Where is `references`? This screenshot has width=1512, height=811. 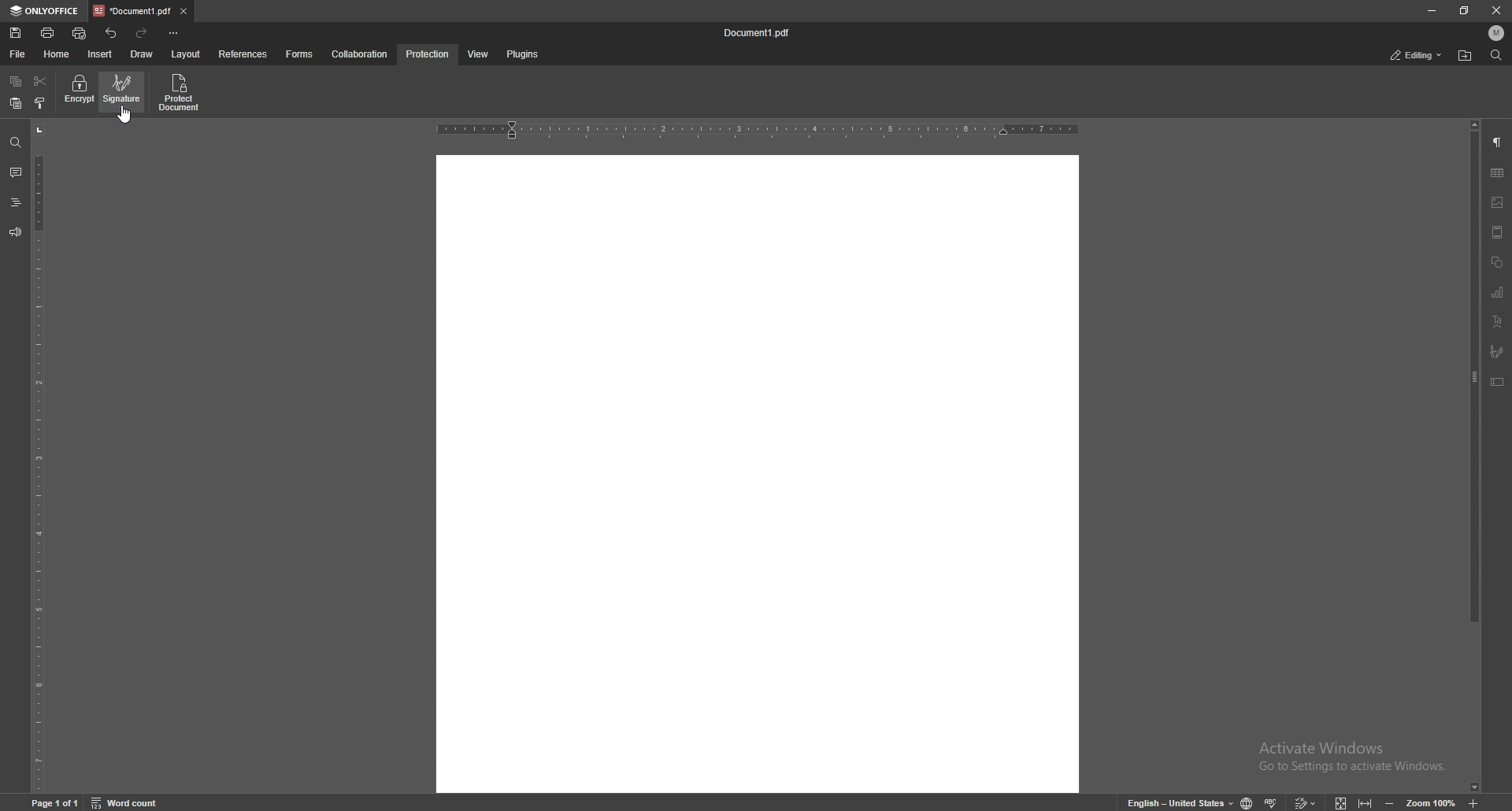 references is located at coordinates (245, 54).